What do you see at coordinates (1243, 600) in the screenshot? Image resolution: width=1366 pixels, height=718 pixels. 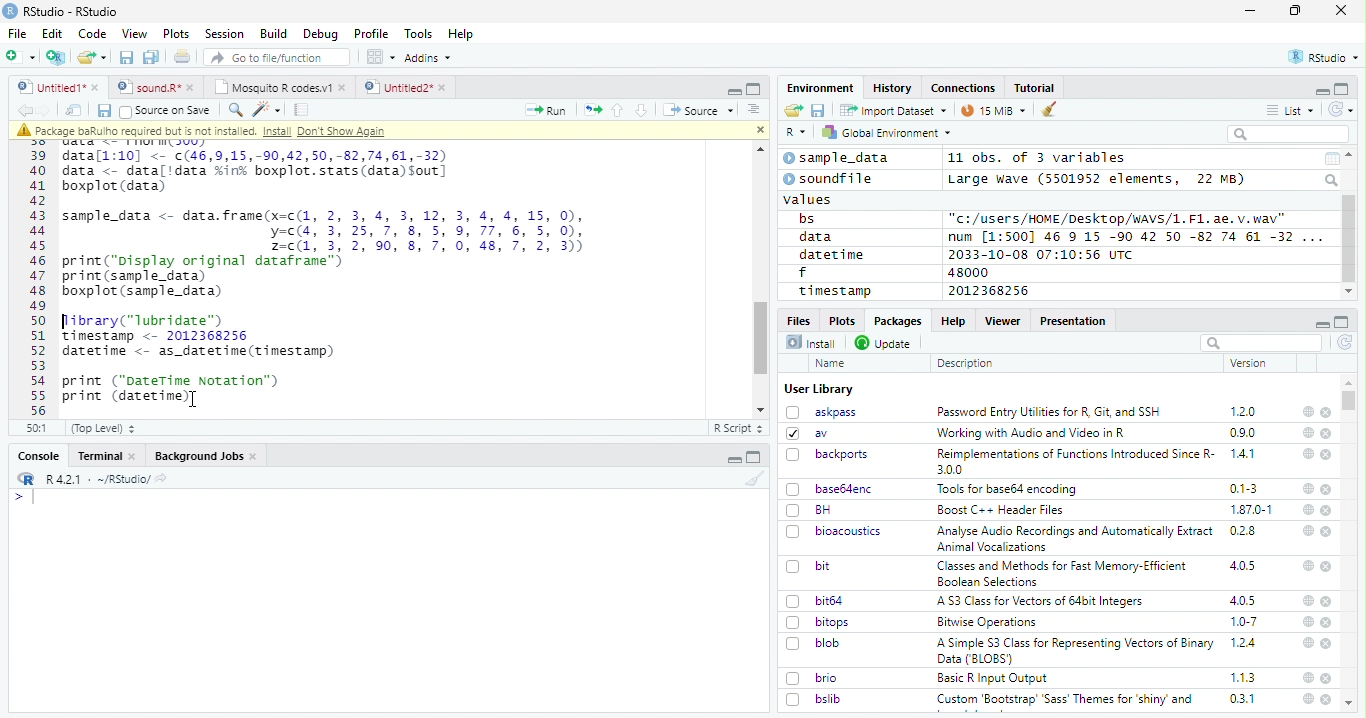 I see `4.0.5` at bounding box center [1243, 600].